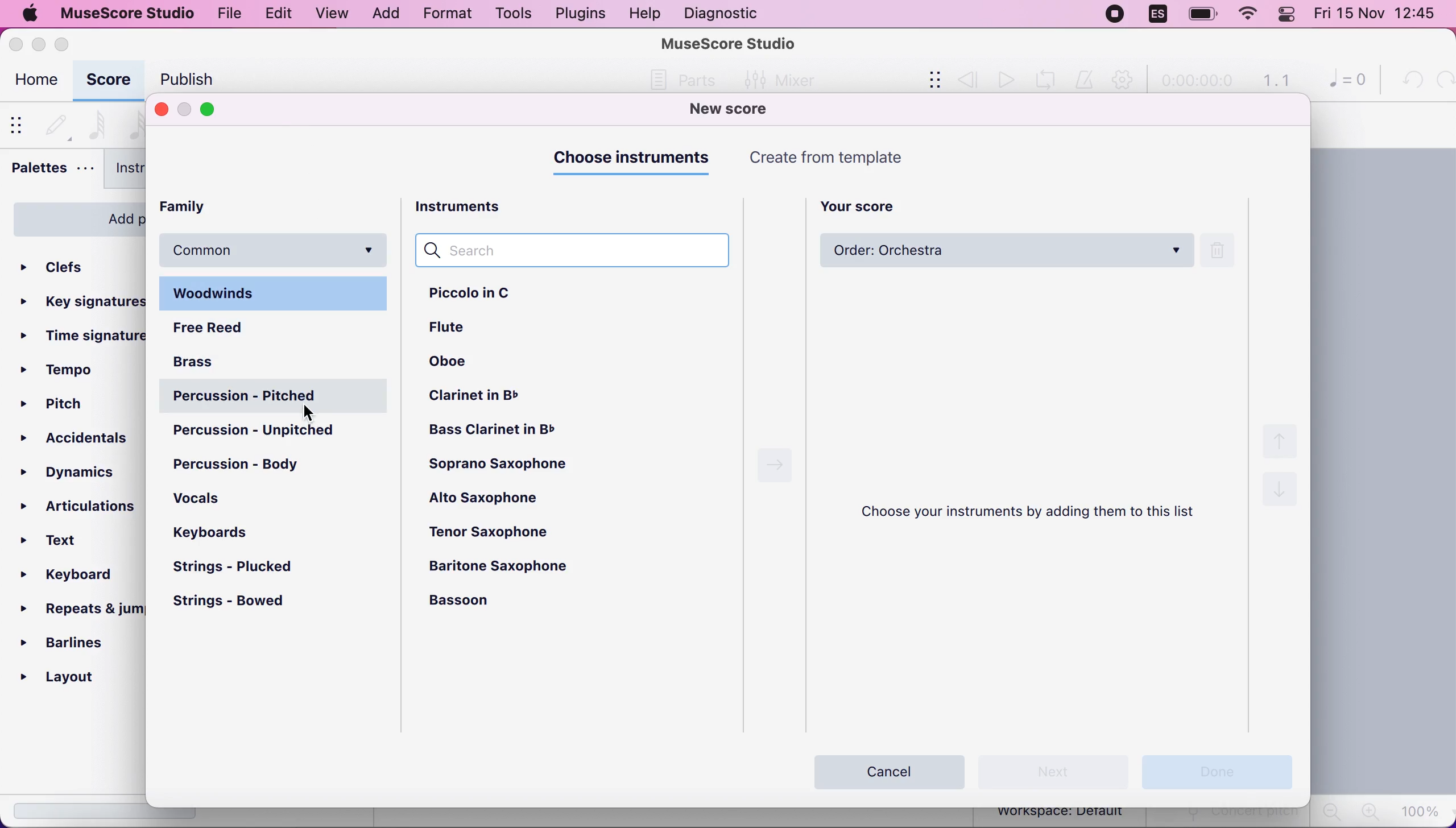  What do you see at coordinates (1276, 81) in the screenshot?
I see `1.1 time` at bounding box center [1276, 81].